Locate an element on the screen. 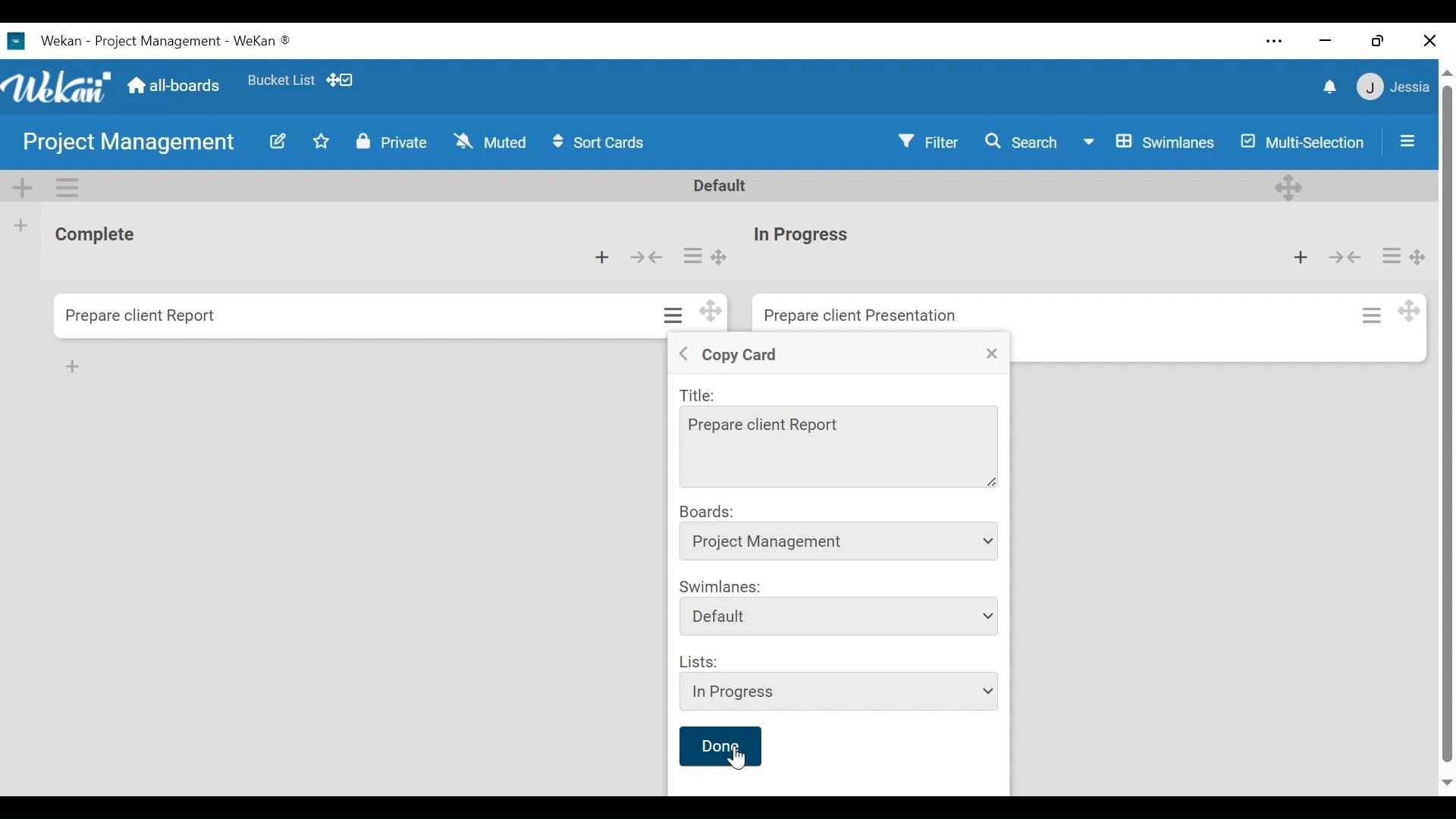  Boards is located at coordinates (709, 510).